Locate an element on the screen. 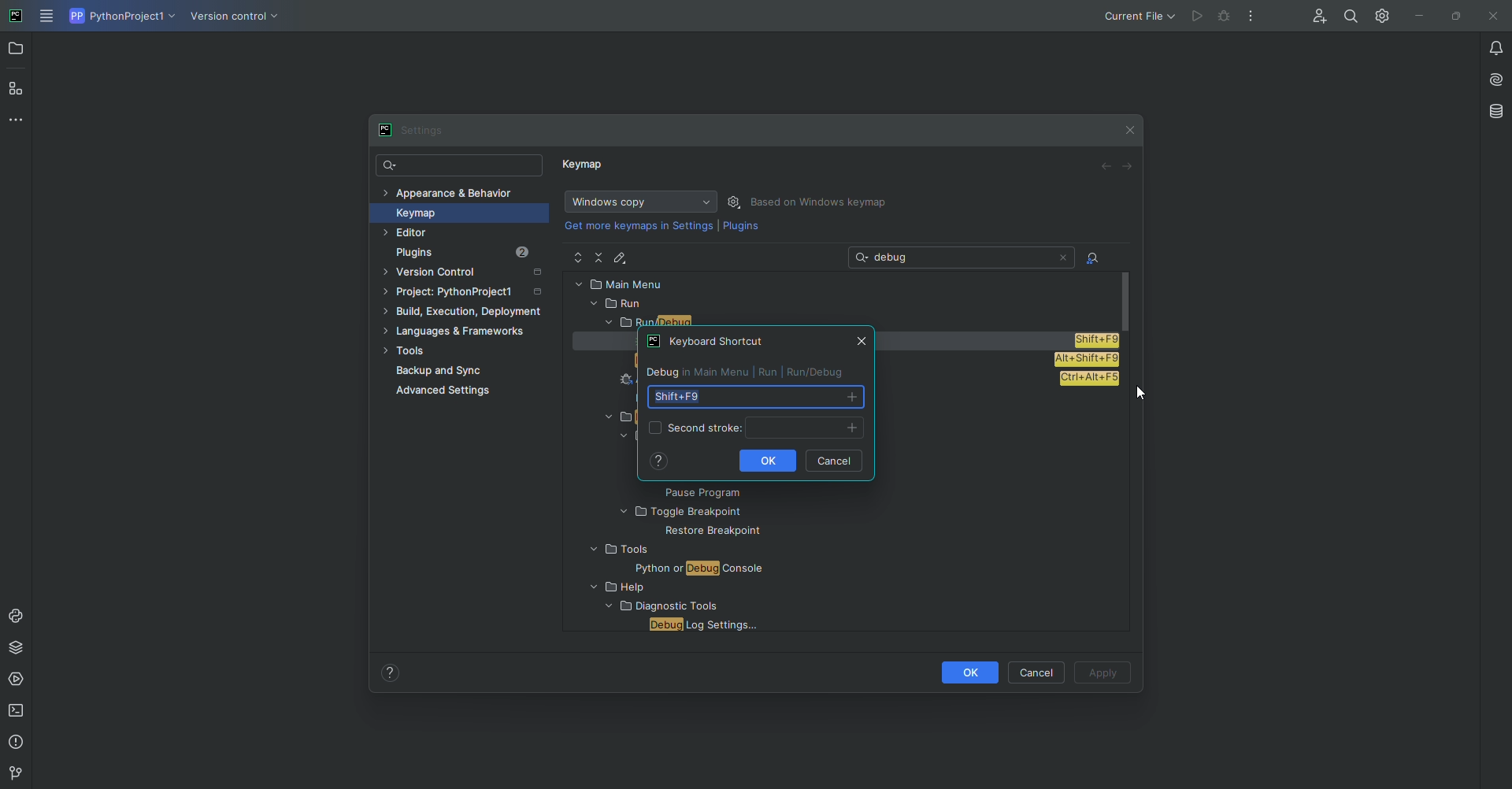 The width and height of the screenshot is (1512, 789). Build, execution, development is located at coordinates (467, 314).